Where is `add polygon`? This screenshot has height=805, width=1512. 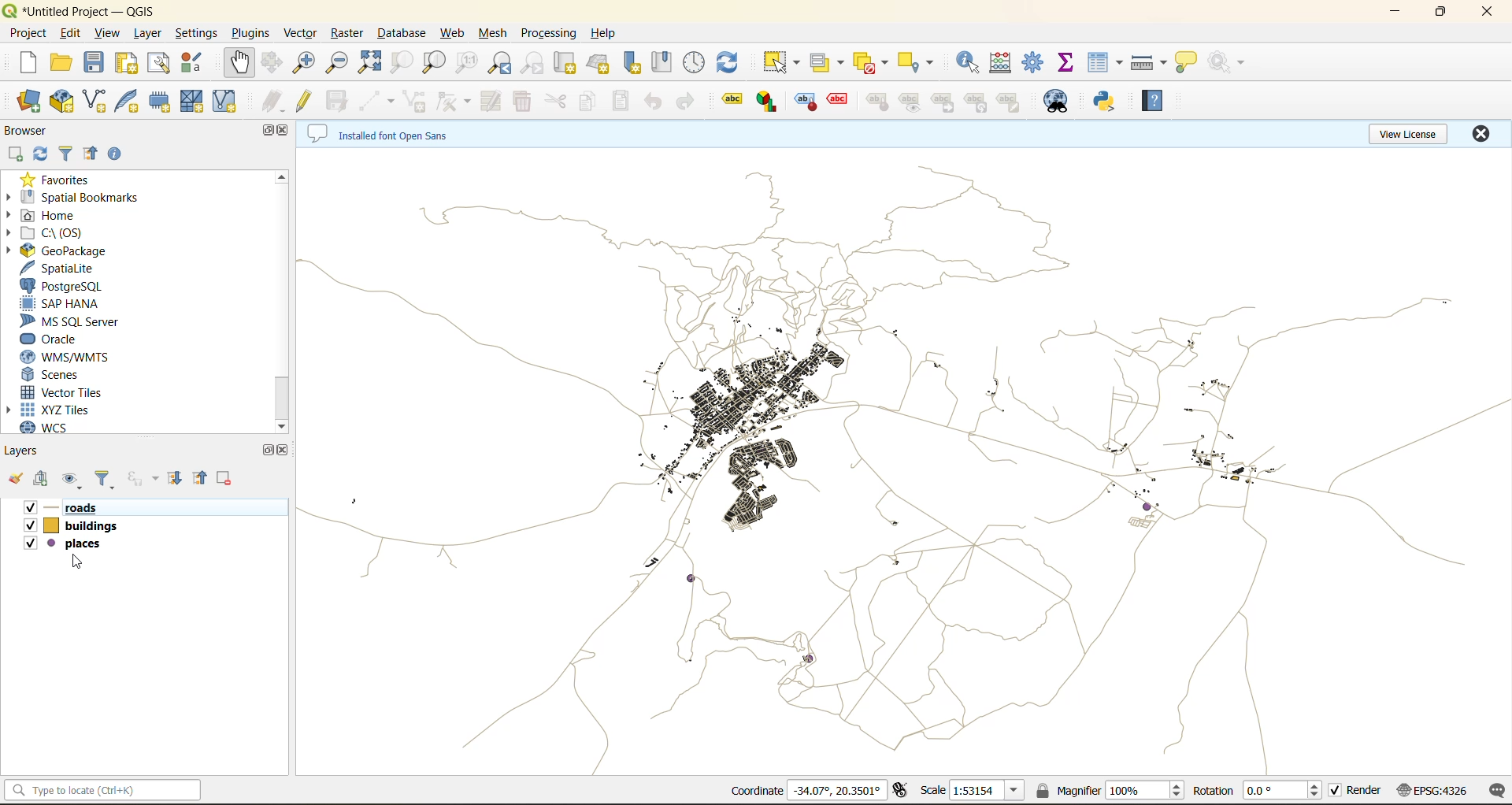 add polygon is located at coordinates (414, 99).